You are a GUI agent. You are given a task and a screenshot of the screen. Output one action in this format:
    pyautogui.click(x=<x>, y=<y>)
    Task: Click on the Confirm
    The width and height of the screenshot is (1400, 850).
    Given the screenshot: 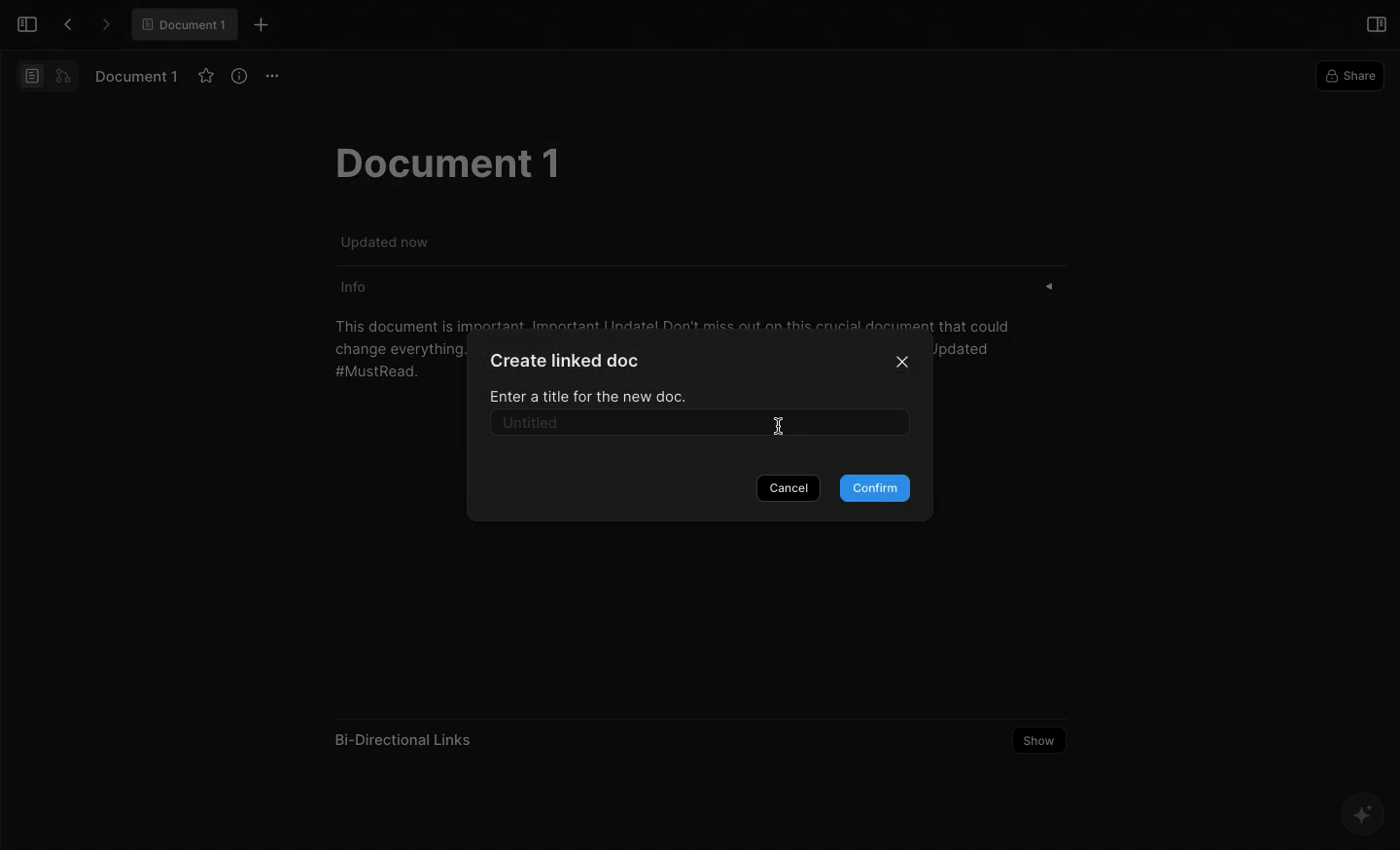 What is the action you would take?
    pyautogui.click(x=875, y=488)
    